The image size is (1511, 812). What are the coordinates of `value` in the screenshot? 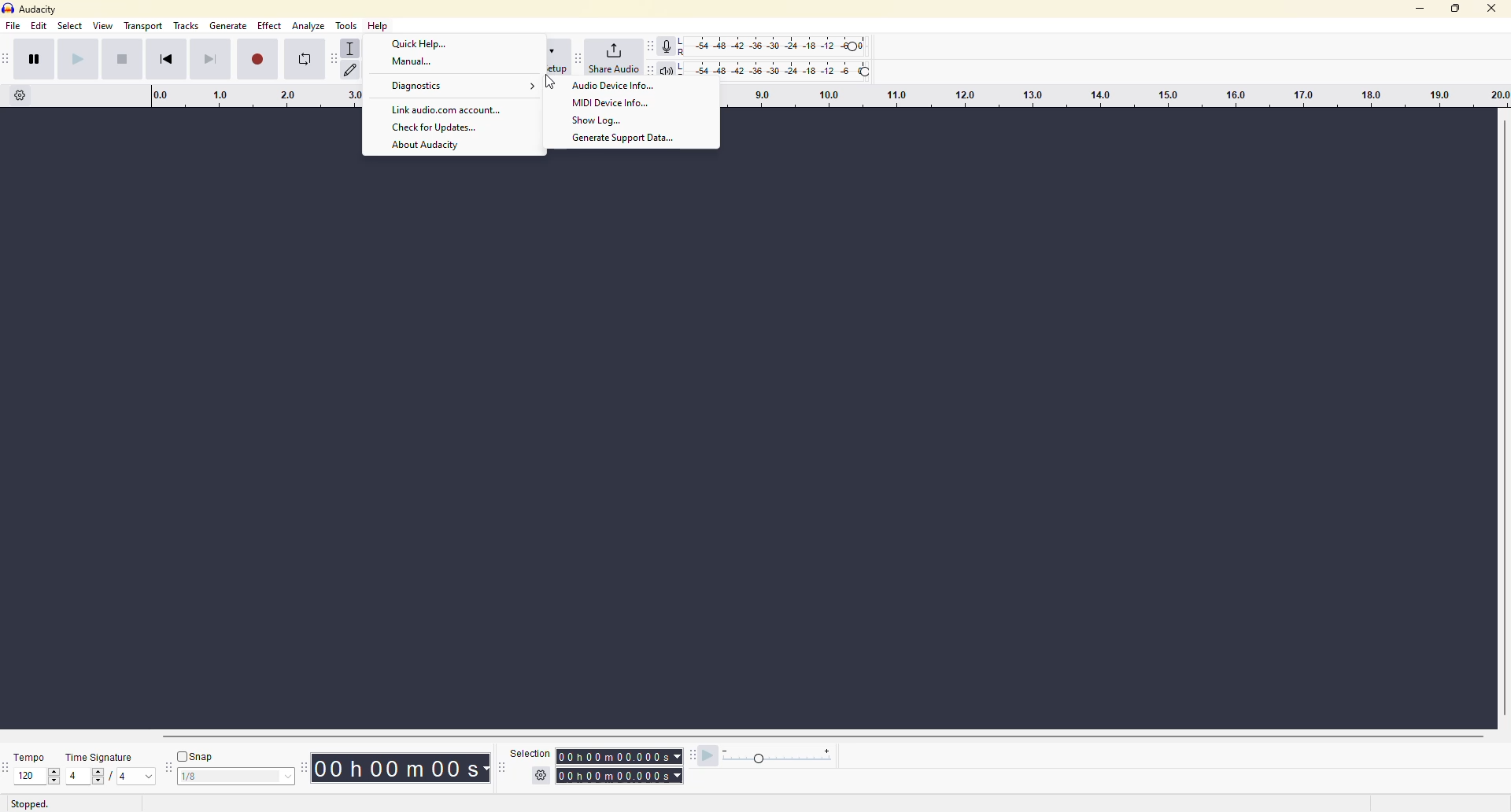 It's located at (91, 776).